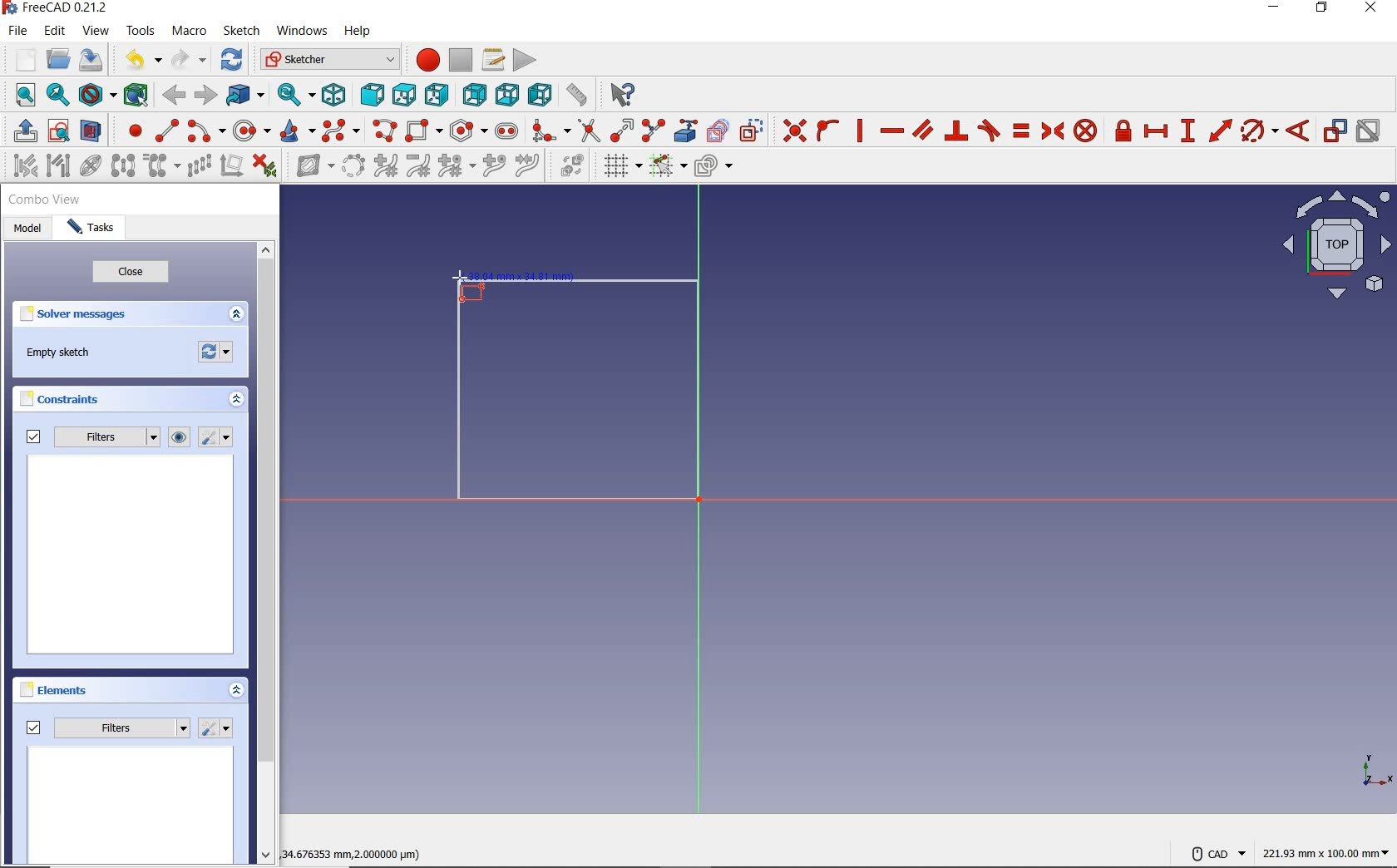 Image resolution: width=1397 pixels, height=868 pixels. Describe the element at coordinates (1020, 131) in the screenshot. I see `constrain equal` at that location.